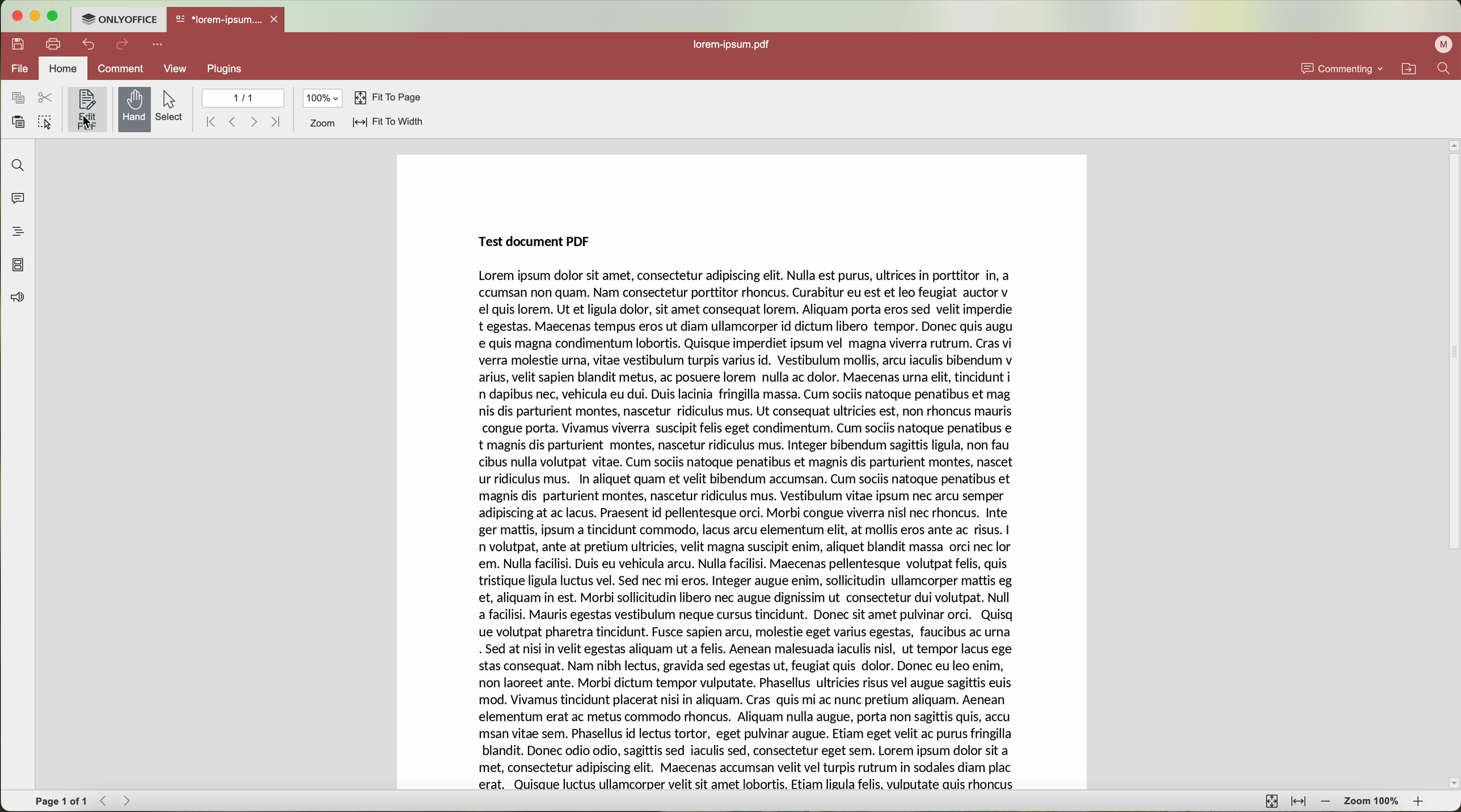  Describe the element at coordinates (538, 243) in the screenshot. I see `Test document PDF` at that location.